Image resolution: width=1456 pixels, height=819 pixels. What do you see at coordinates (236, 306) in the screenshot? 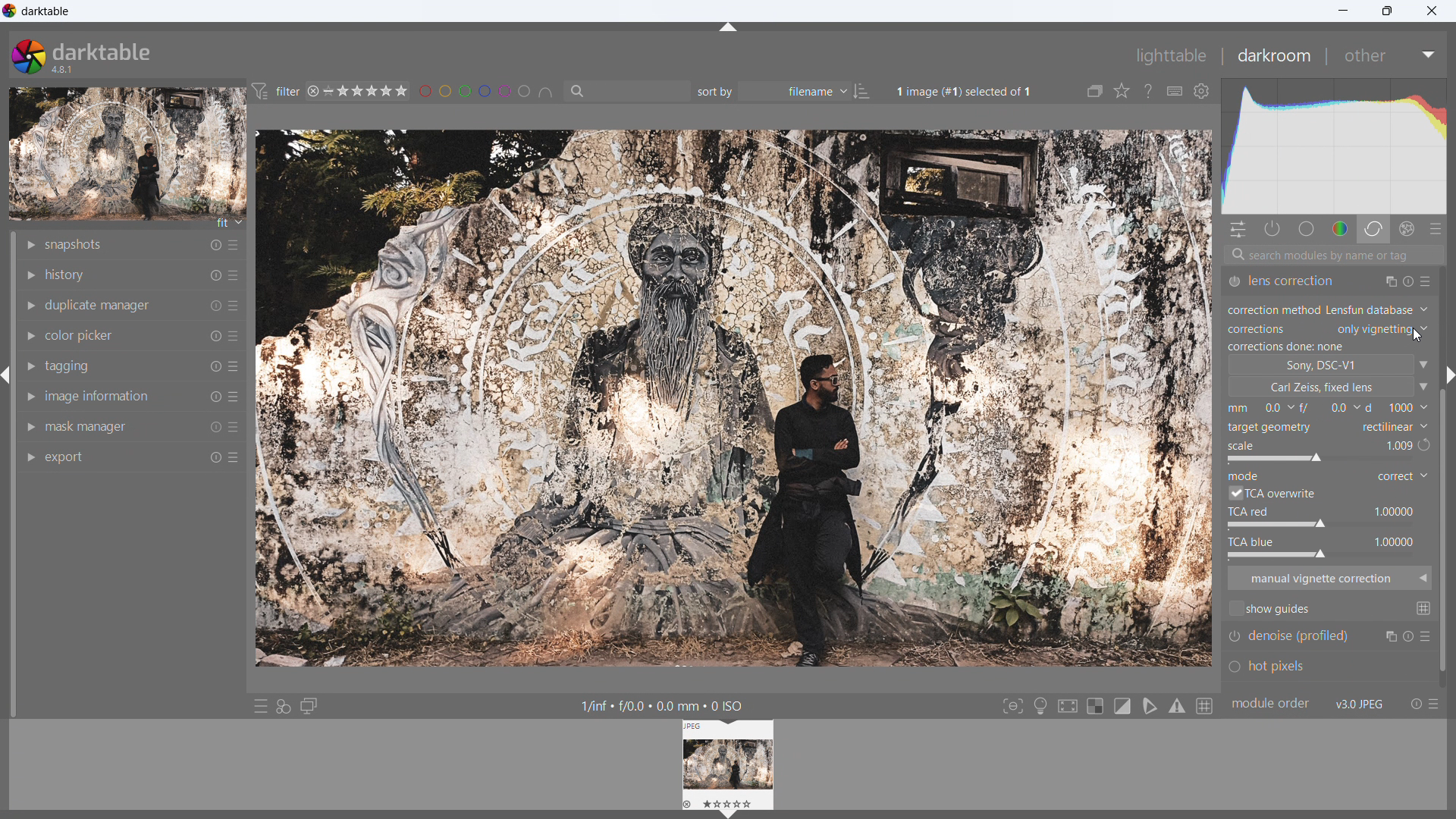
I see `more options` at bounding box center [236, 306].